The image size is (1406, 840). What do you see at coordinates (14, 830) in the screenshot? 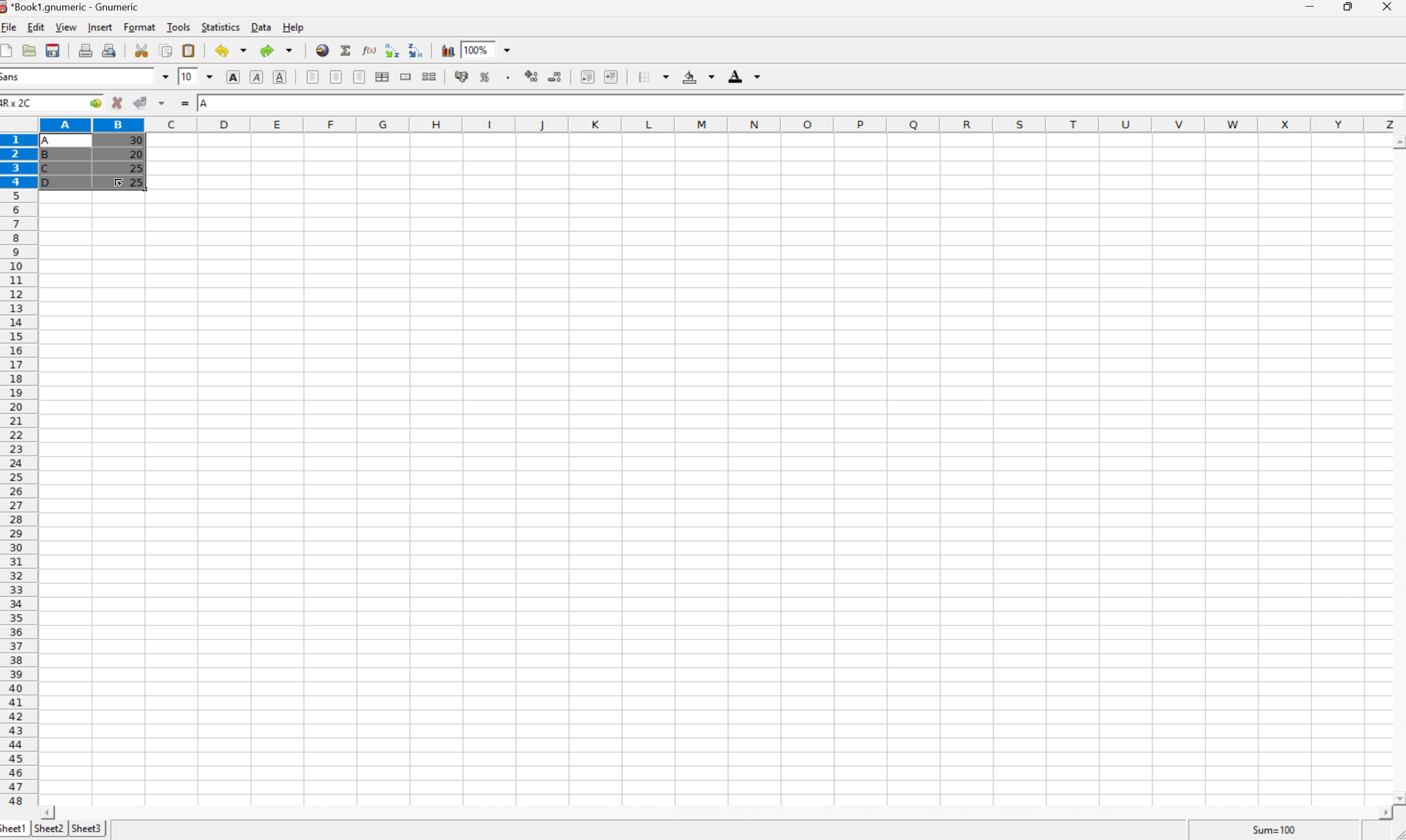
I see `Sheet1` at bounding box center [14, 830].